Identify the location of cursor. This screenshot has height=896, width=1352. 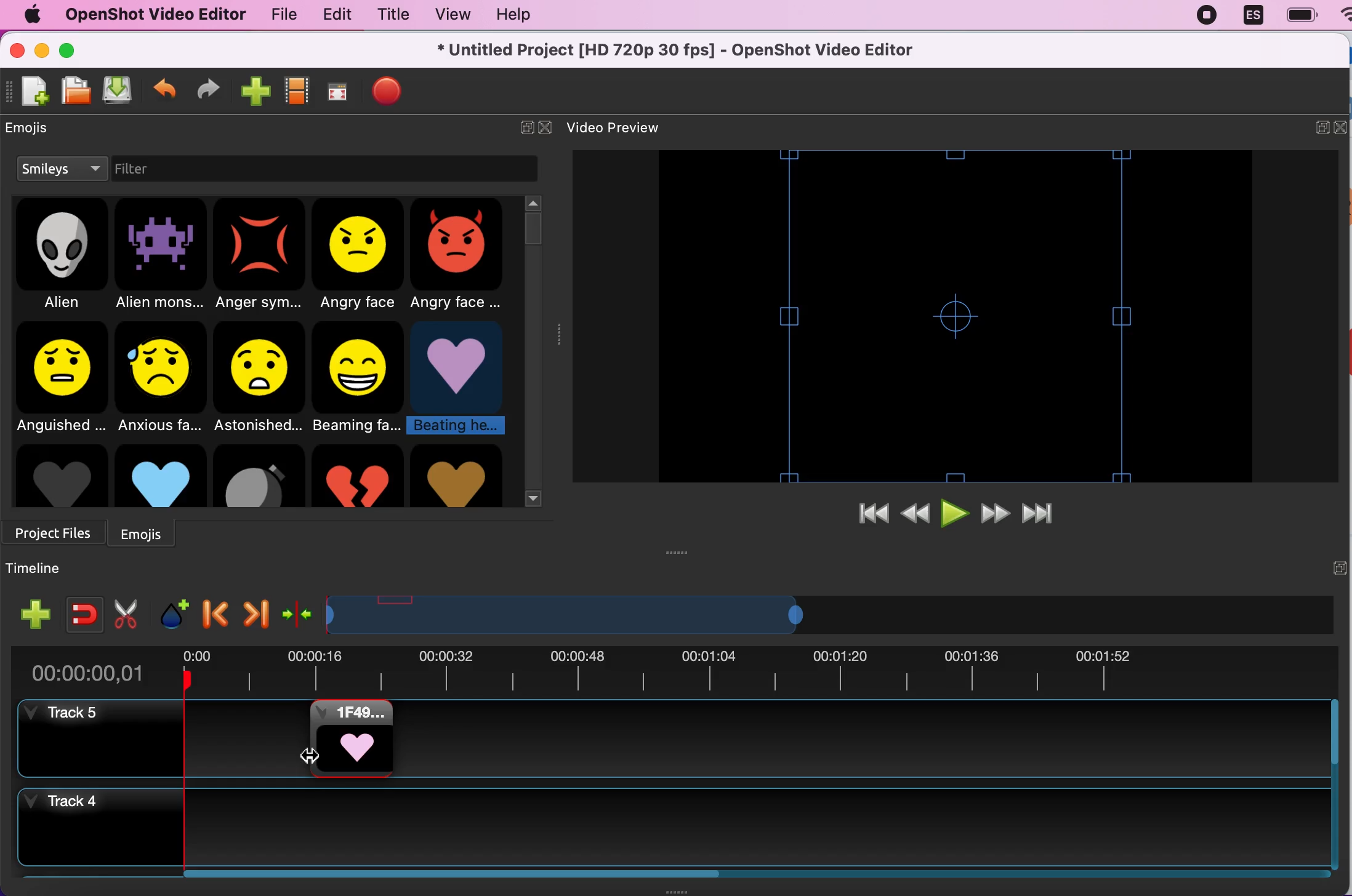
(311, 756).